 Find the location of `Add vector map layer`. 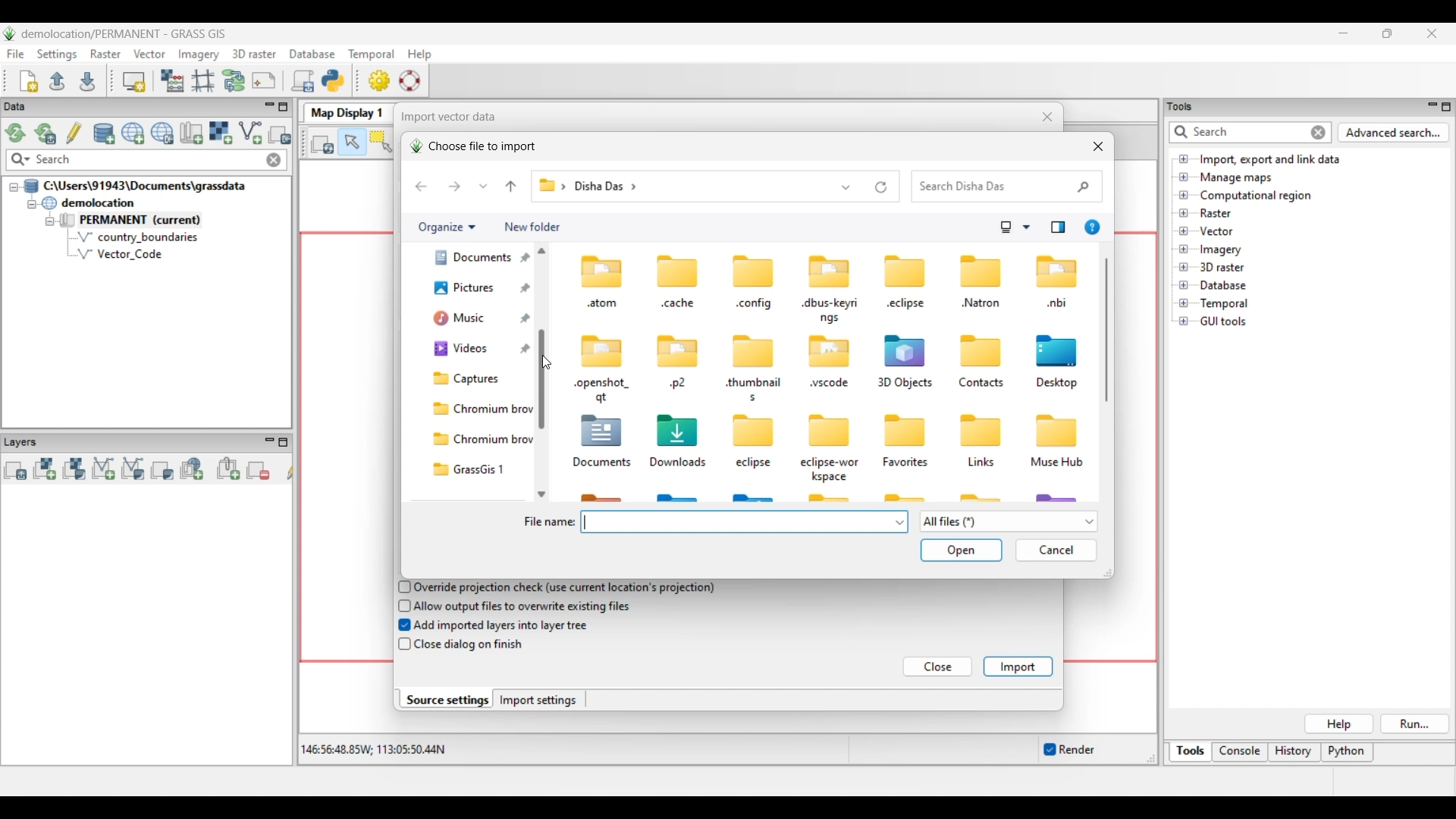

Add vector map layer is located at coordinates (104, 469).